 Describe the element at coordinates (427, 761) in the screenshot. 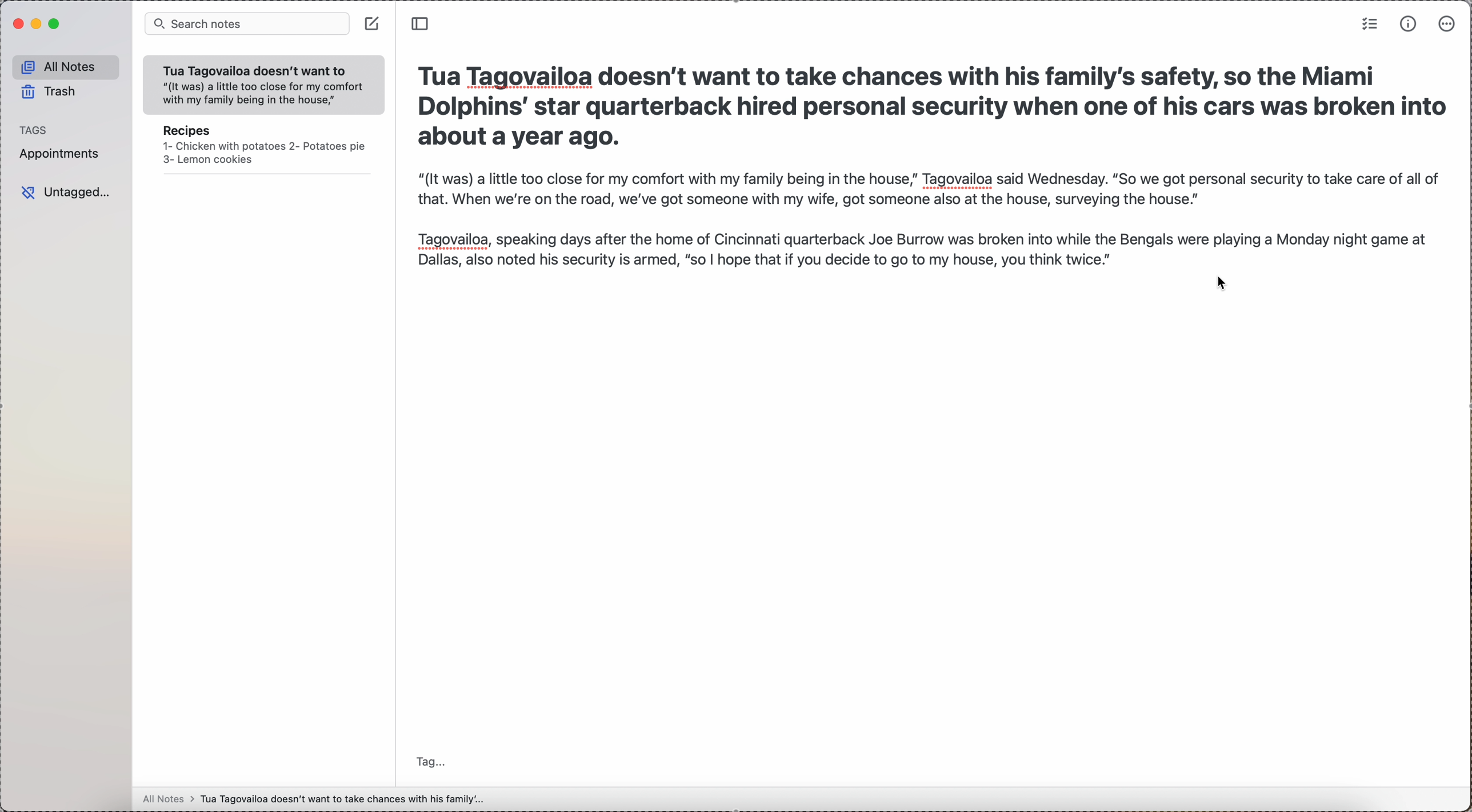

I see `tag` at that location.